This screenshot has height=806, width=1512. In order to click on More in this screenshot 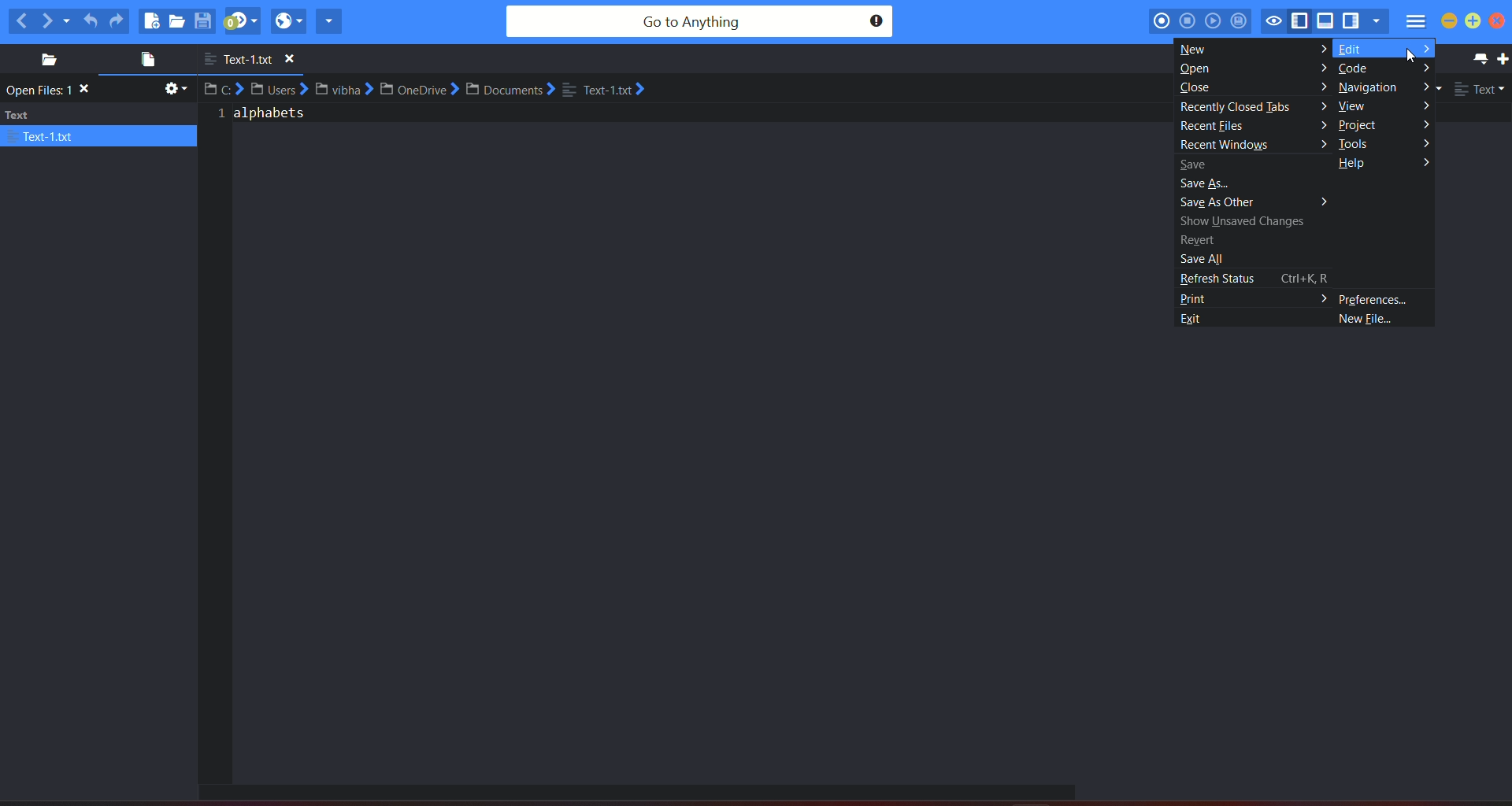, I will do `click(1320, 105)`.